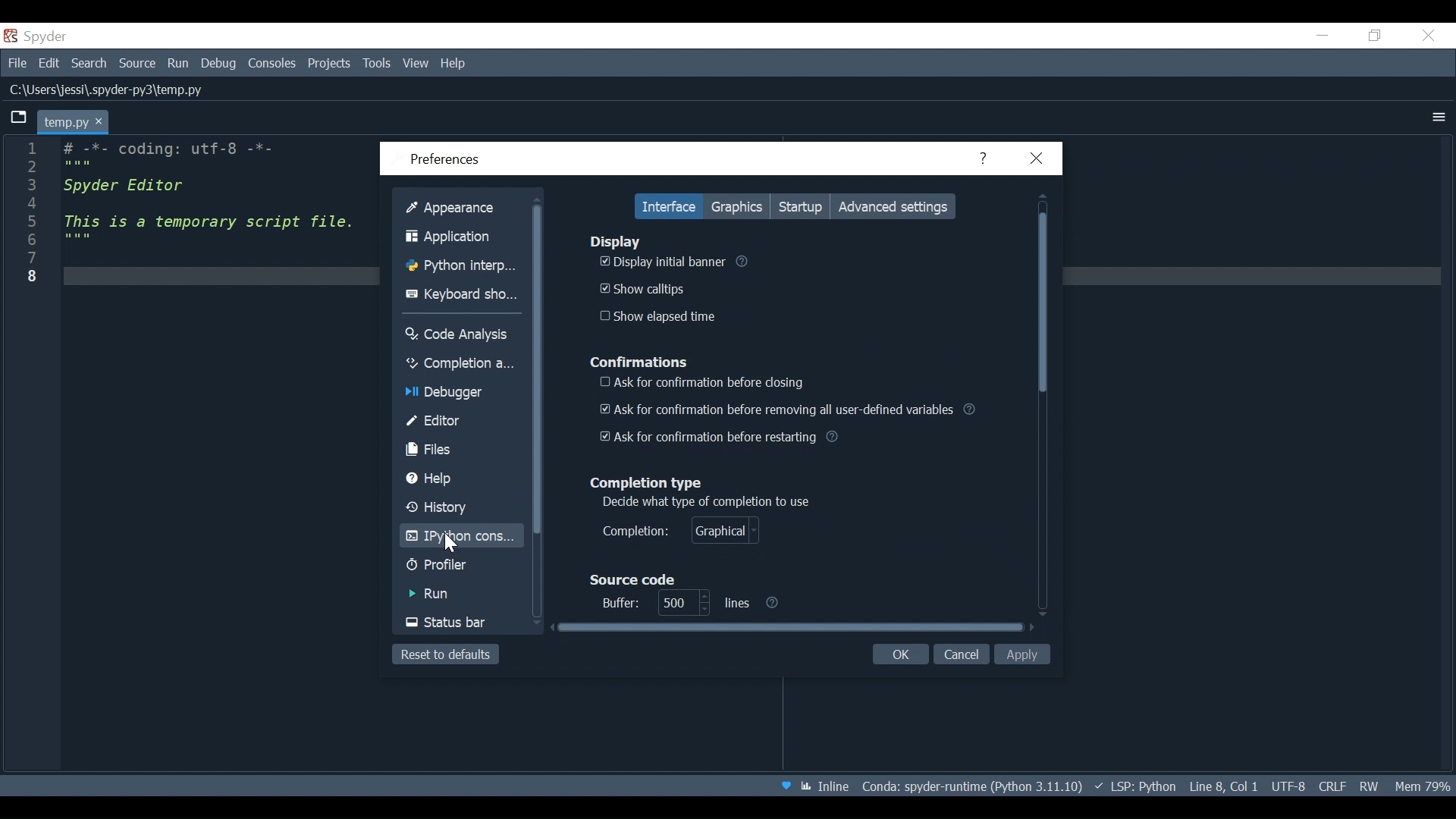 The width and height of the screenshot is (1456, 819). What do you see at coordinates (723, 437) in the screenshot?
I see `(un)check Ask for confirmation before restarting` at bounding box center [723, 437].